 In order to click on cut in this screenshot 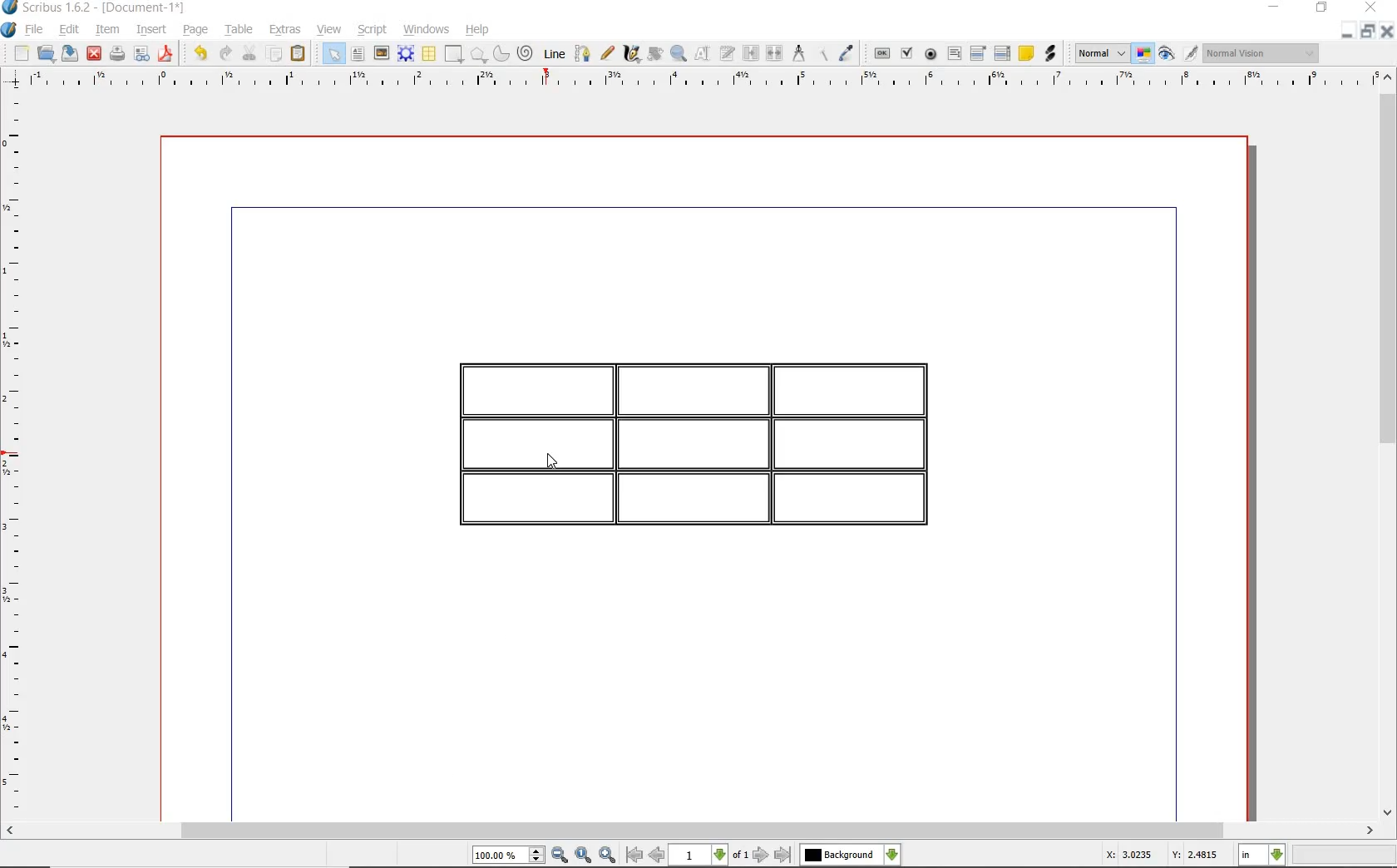, I will do `click(250, 54)`.